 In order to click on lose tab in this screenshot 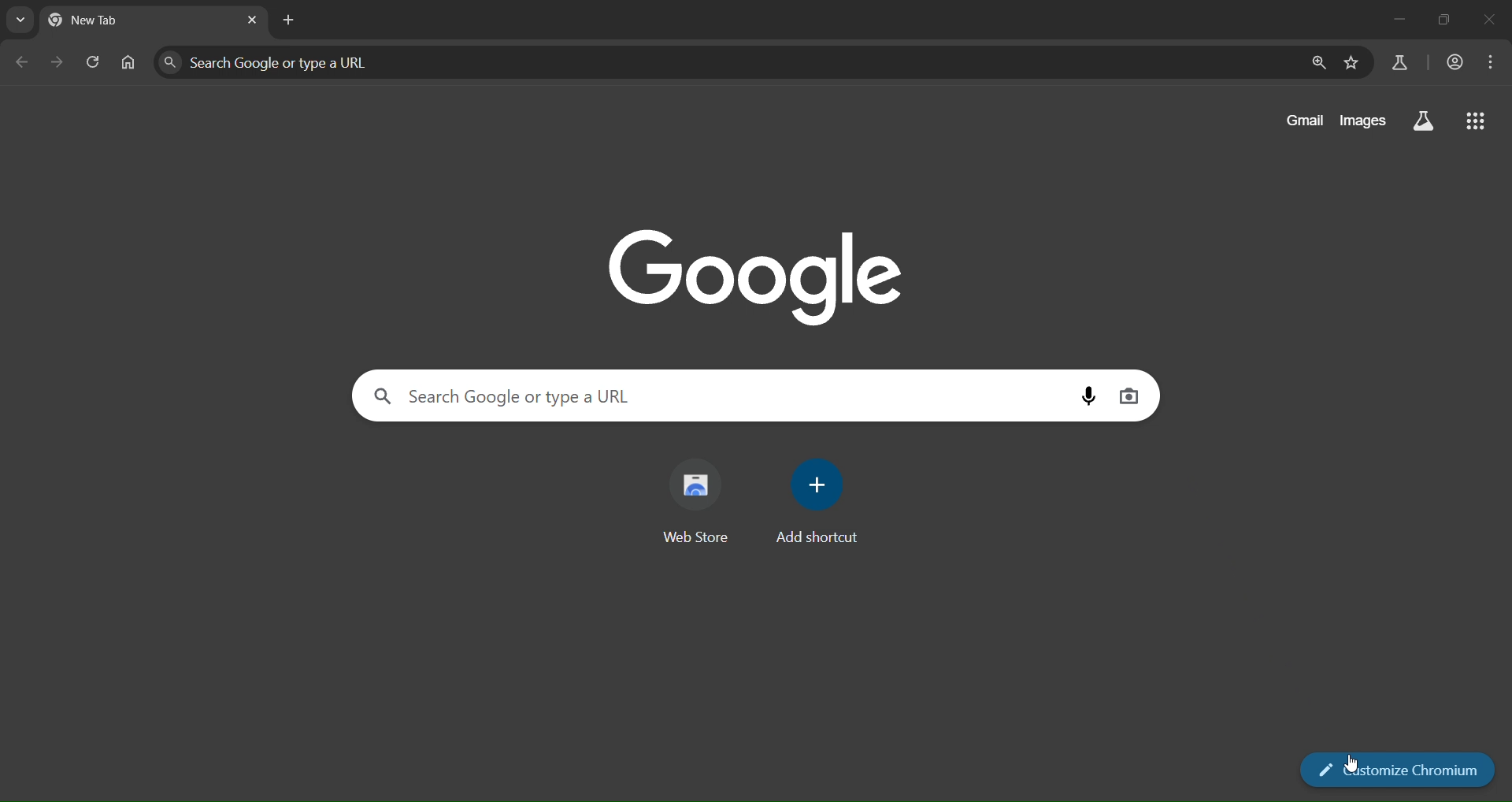, I will do `click(250, 20)`.